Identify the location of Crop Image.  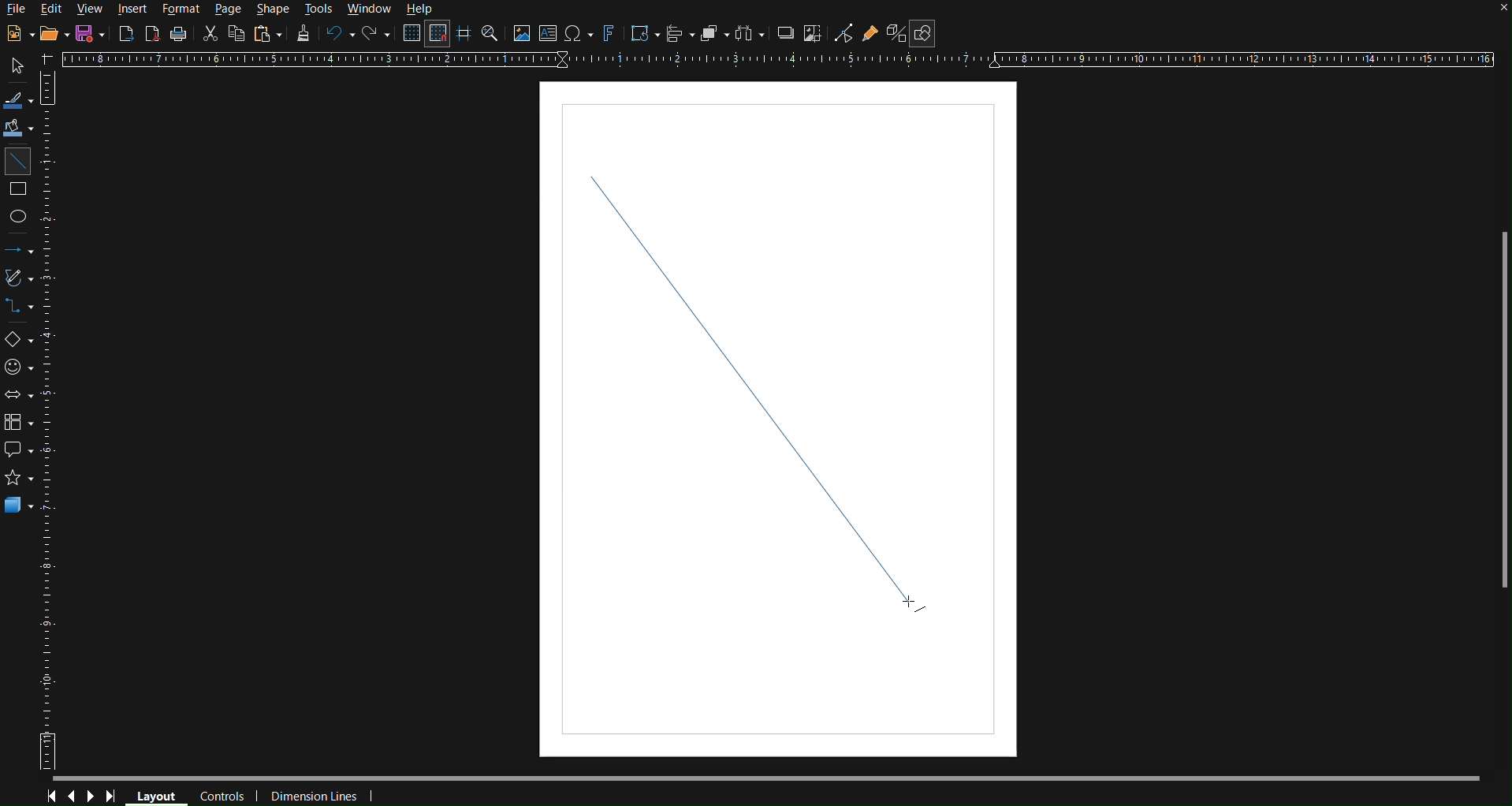
(815, 32).